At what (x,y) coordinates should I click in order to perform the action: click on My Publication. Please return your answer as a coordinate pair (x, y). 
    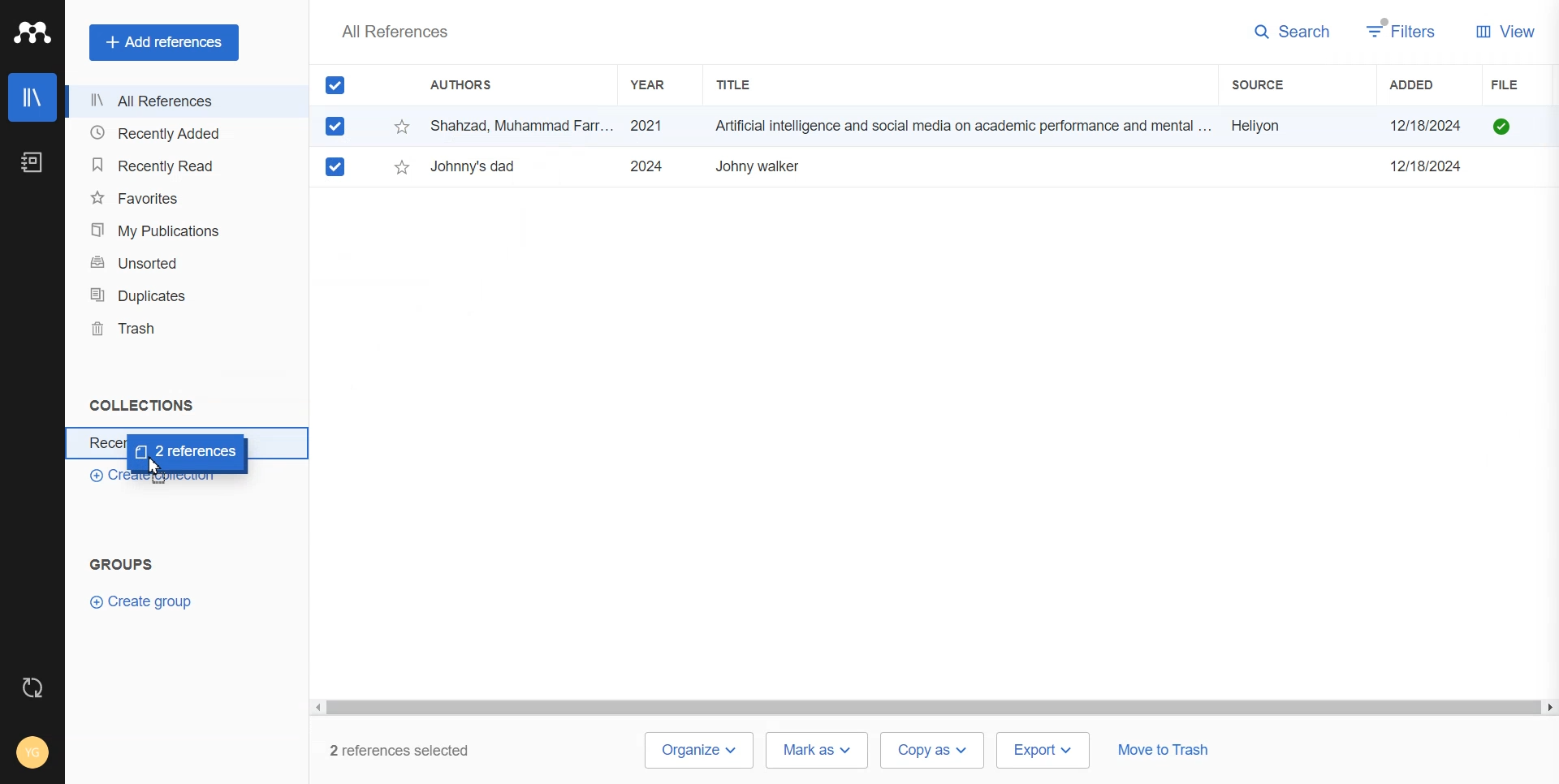
    Looking at the image, I should click on (182, 230).